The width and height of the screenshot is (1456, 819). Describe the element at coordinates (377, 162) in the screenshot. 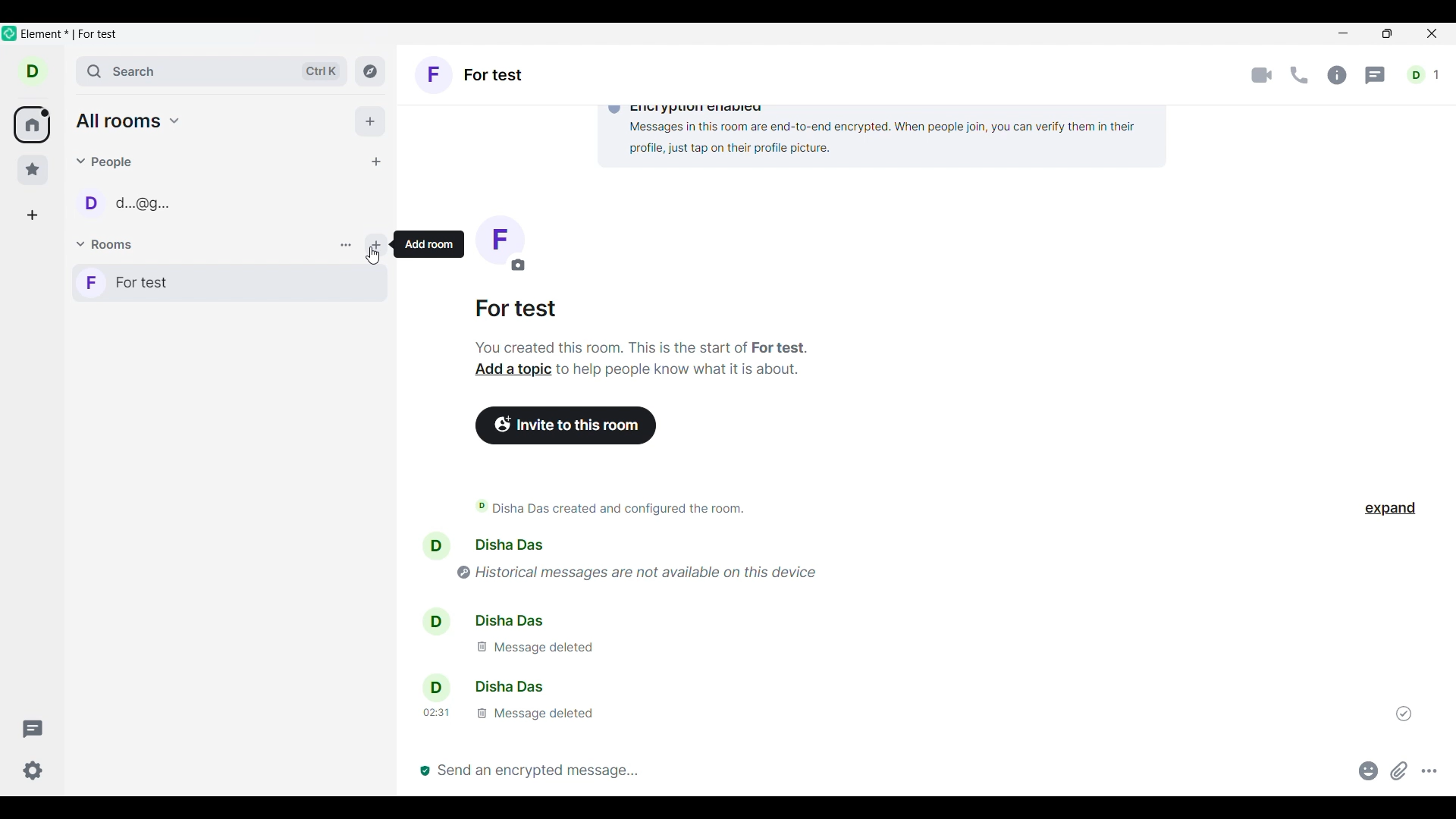

I see `Start chat` at that location.